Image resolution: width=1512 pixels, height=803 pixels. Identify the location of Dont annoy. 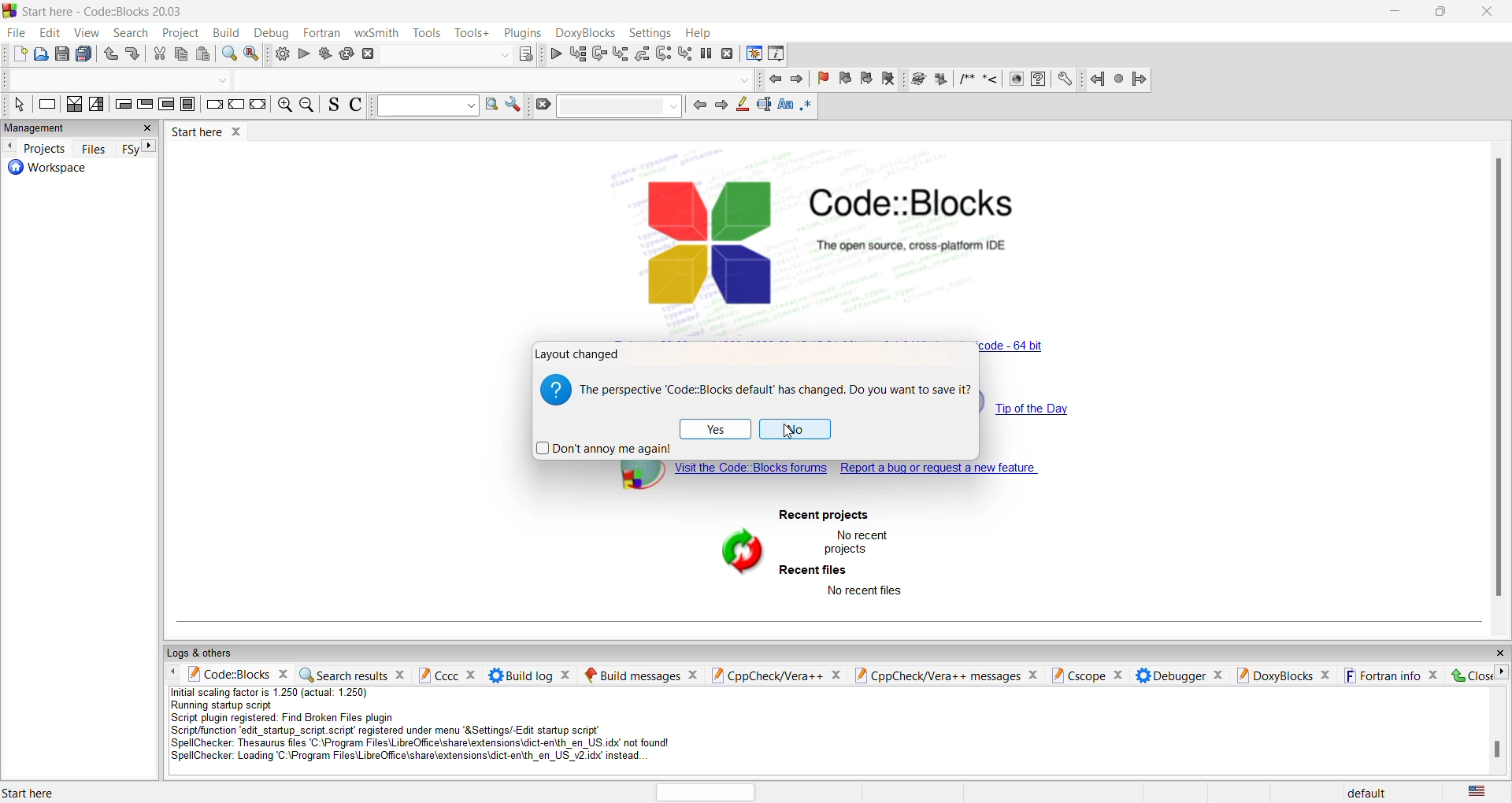
(605, 448).